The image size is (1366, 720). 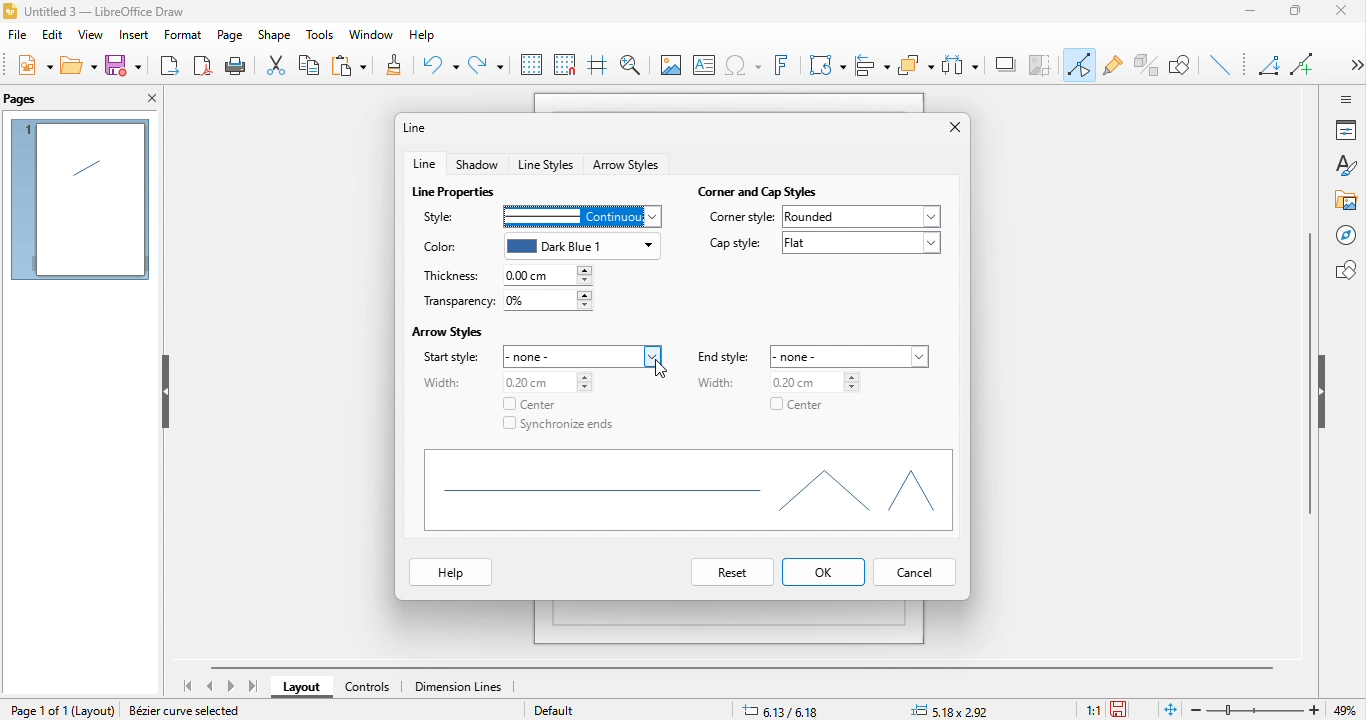 What do you see at coordinates (125, 68) in the screenshot?
I see `save` at bounding box center [125, 68].